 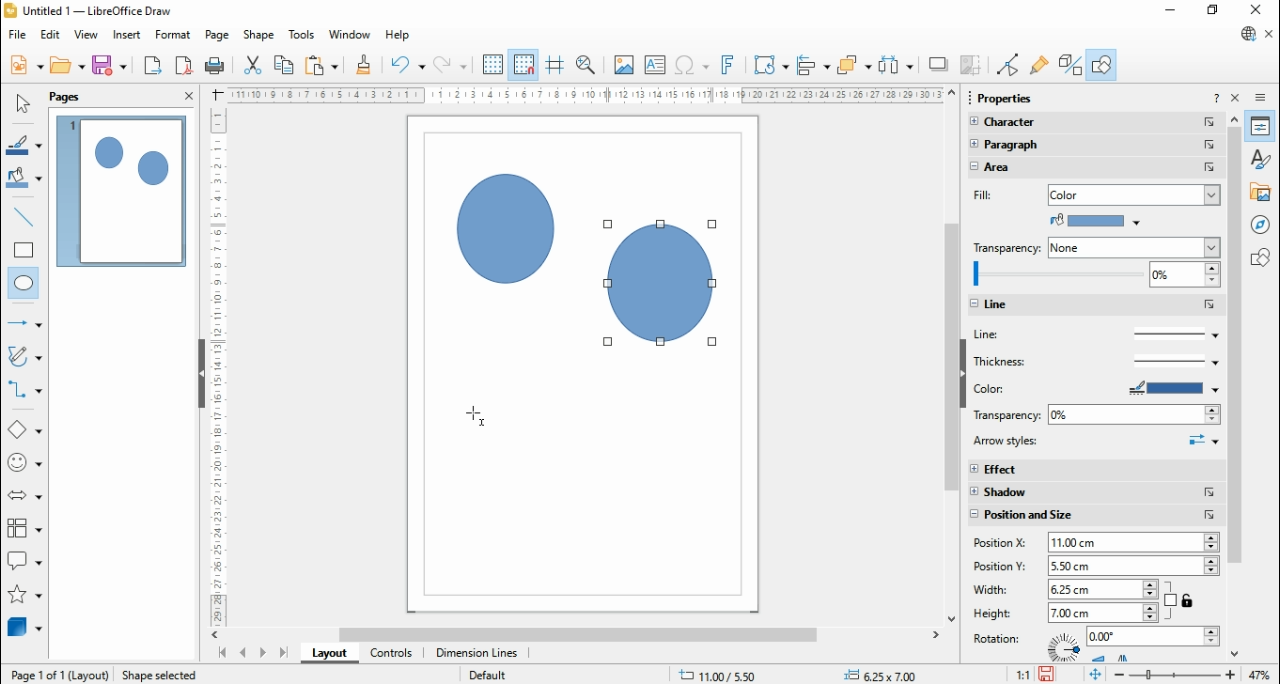 I want to click on transformations, so click(x=769, y=66).